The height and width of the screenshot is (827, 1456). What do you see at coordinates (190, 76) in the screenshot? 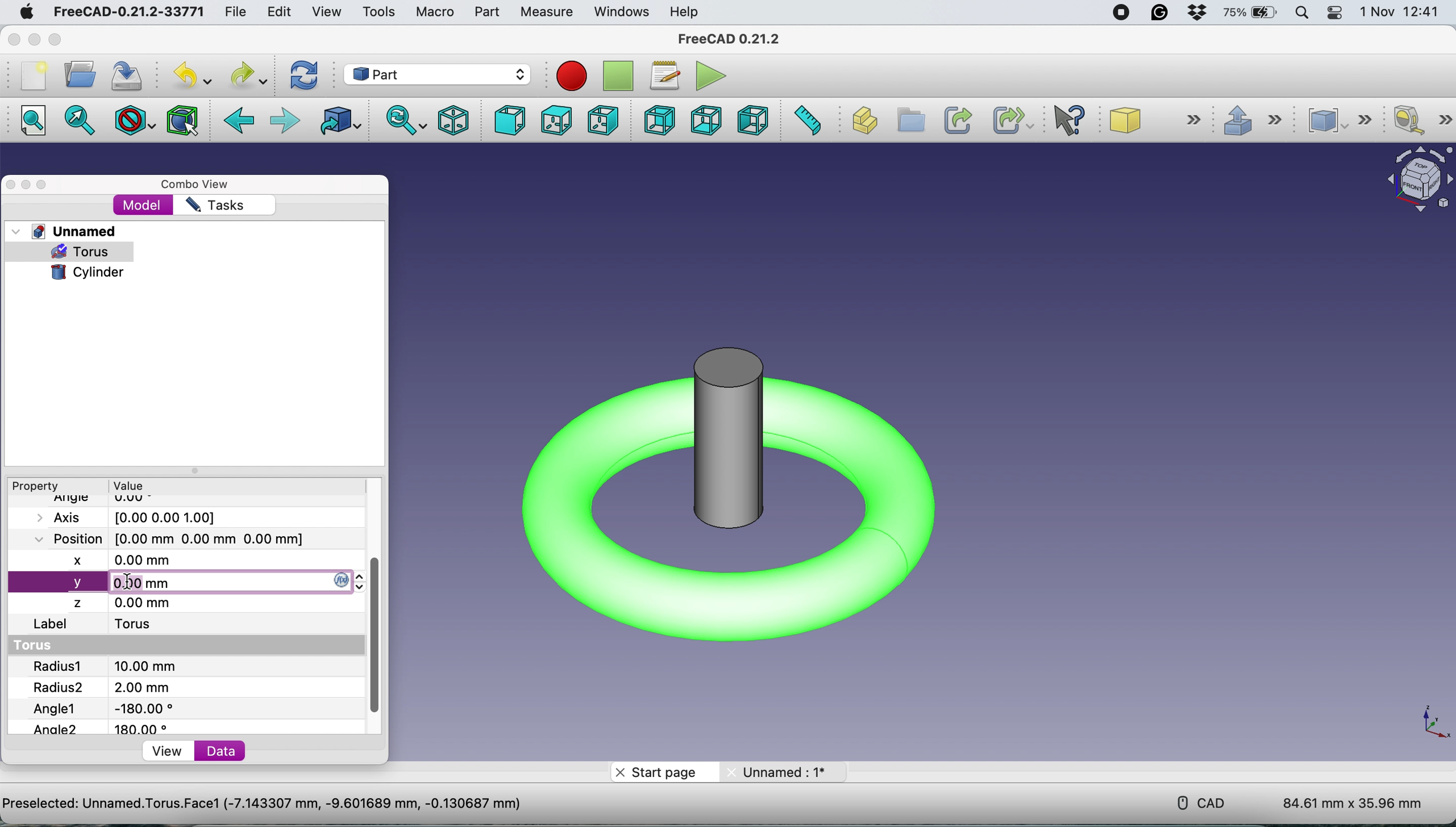
I see `undo` at bounding box center [190, 76].